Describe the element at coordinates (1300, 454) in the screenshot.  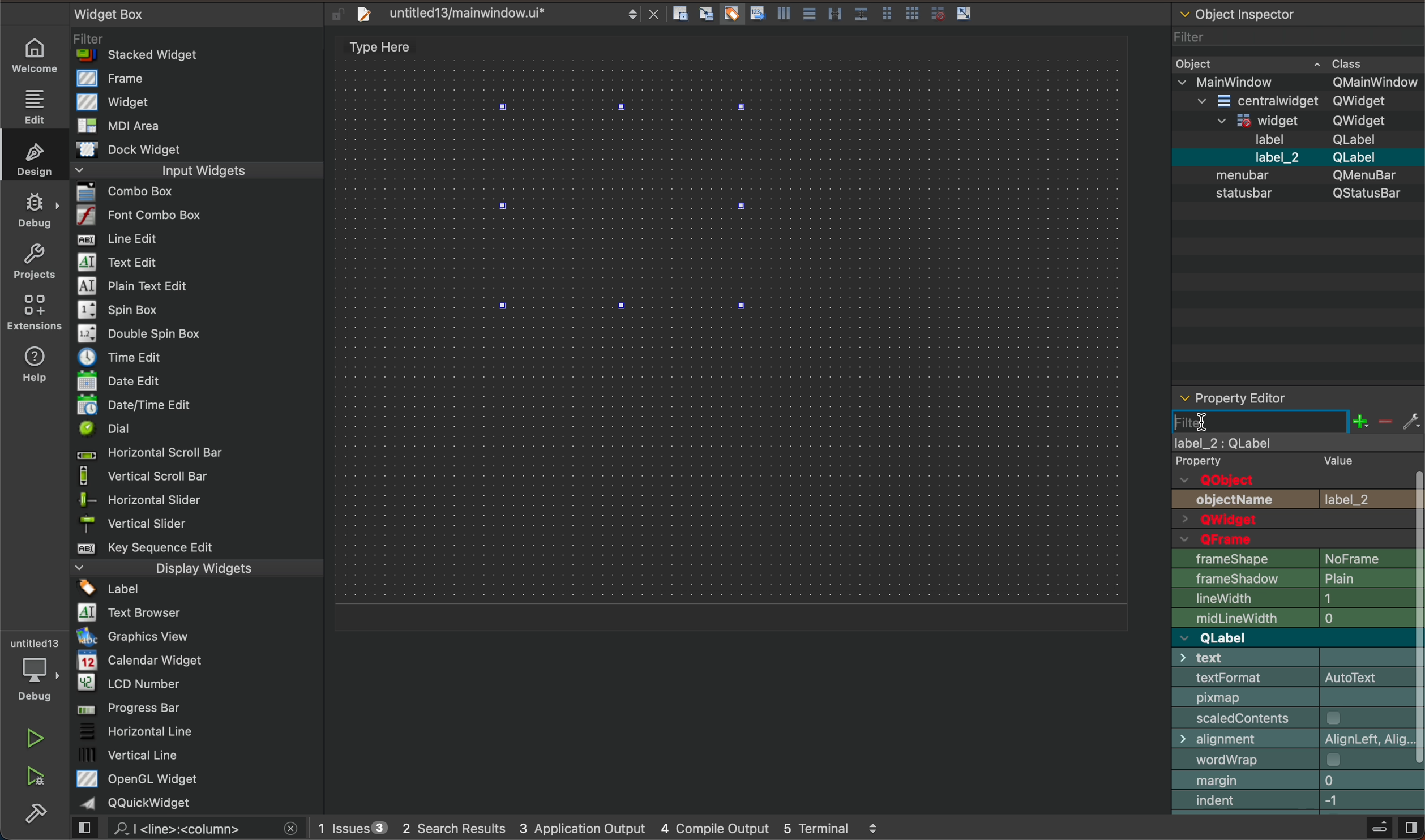
I see `label` at that location.